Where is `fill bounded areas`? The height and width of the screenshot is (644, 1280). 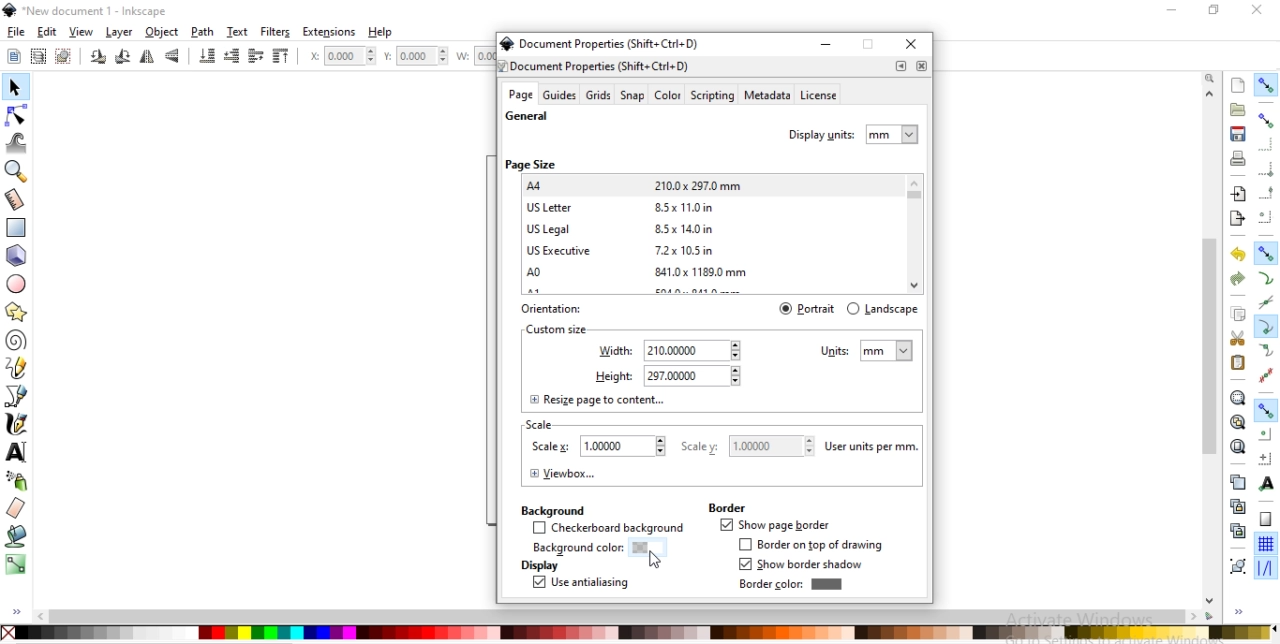
fill bounded areas is located at coordinates (16, 536).